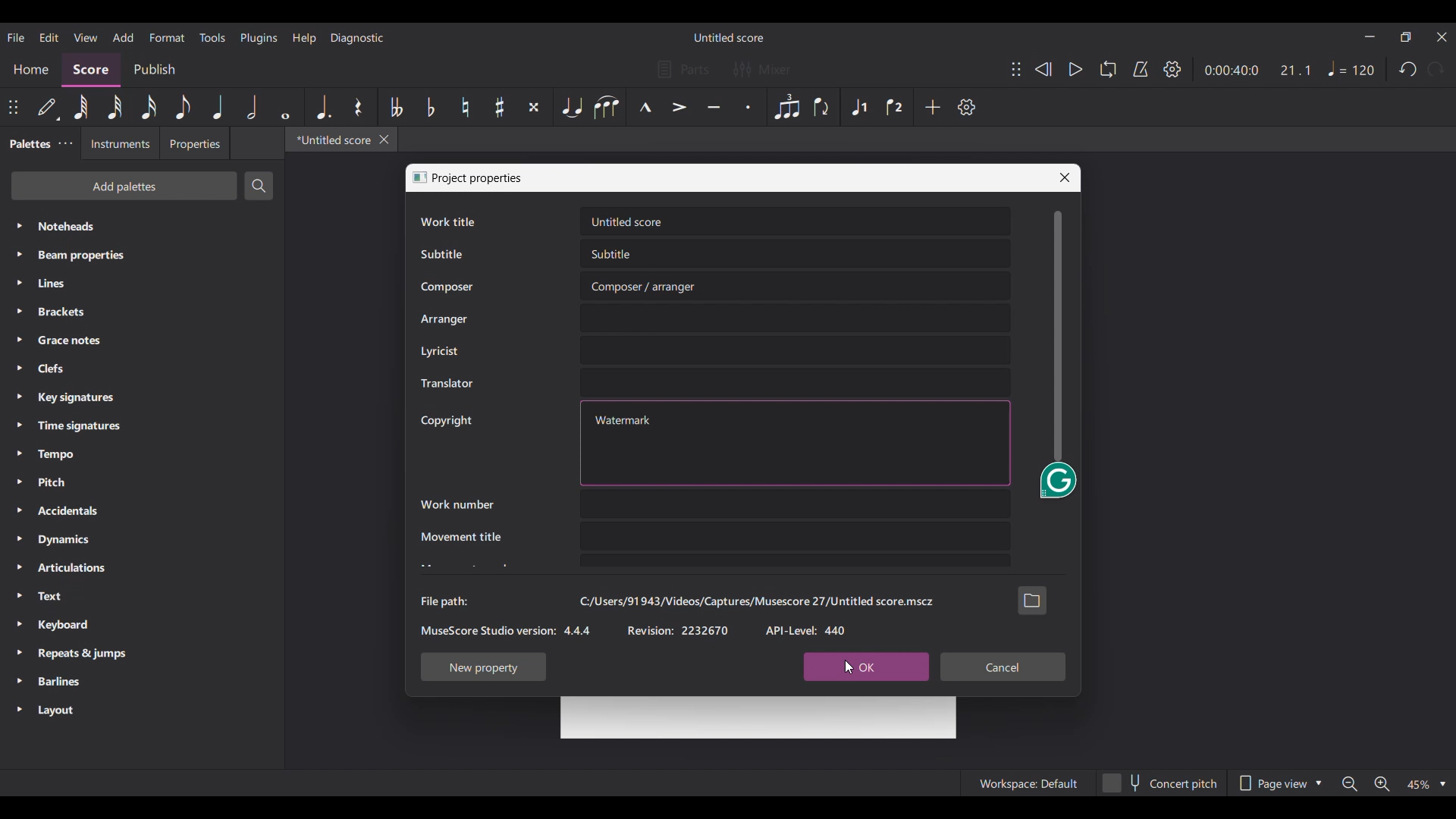 This screenshot has width=1456, height=819. What do you see at coordinates (1032, 600) in the screenshot?
I see `Browse` at bounding box center [1032, 600].